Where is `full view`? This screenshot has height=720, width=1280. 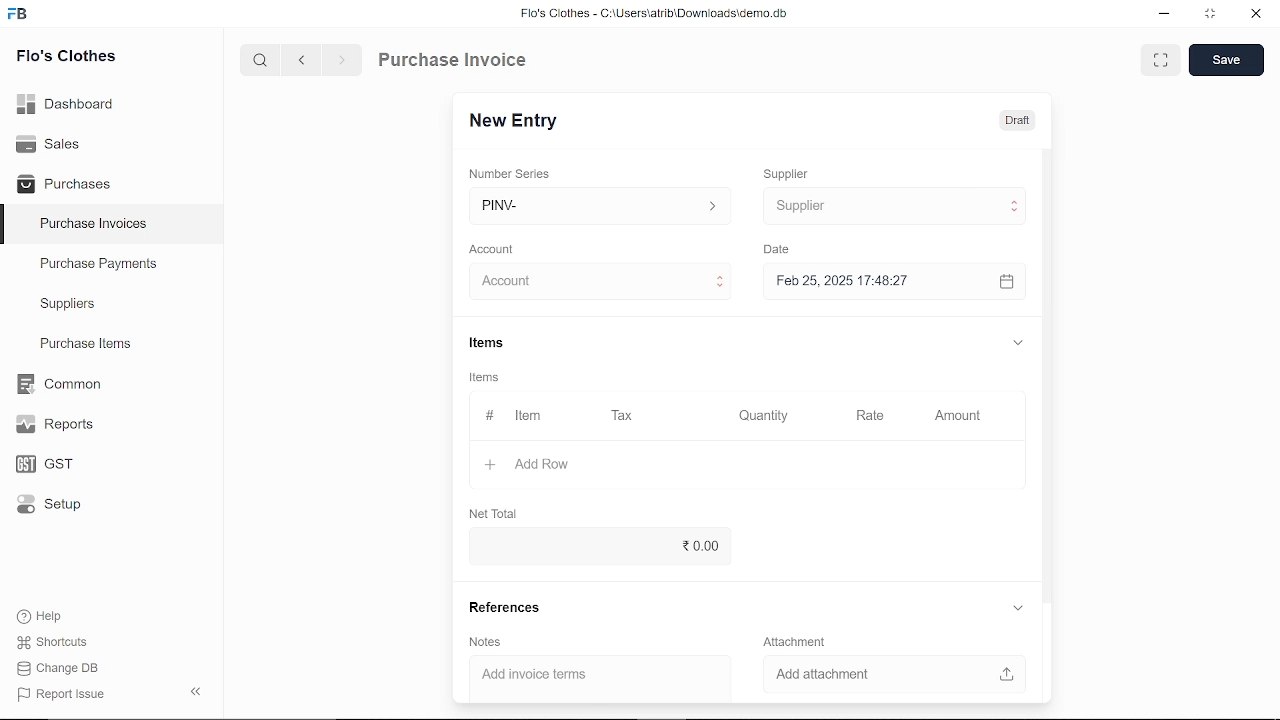
full view is located at coordinates (1162, 60).